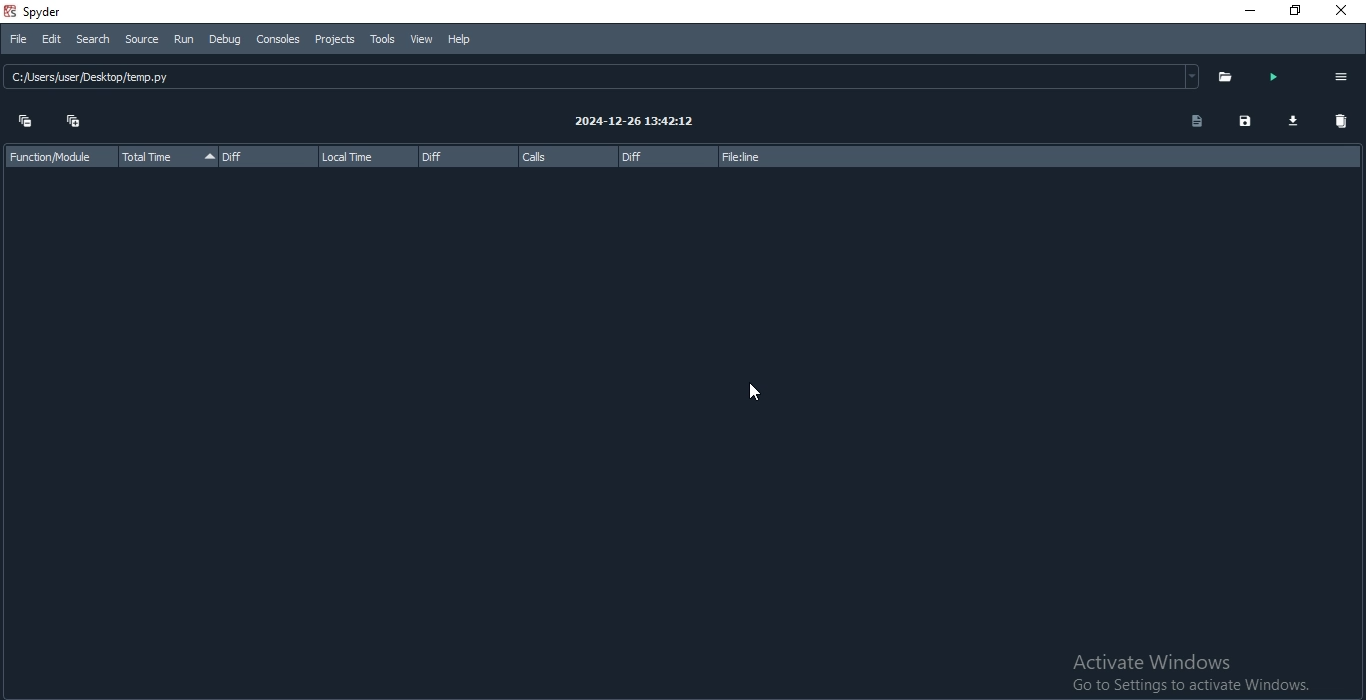  I want to click on Projects, so click(335, 40).